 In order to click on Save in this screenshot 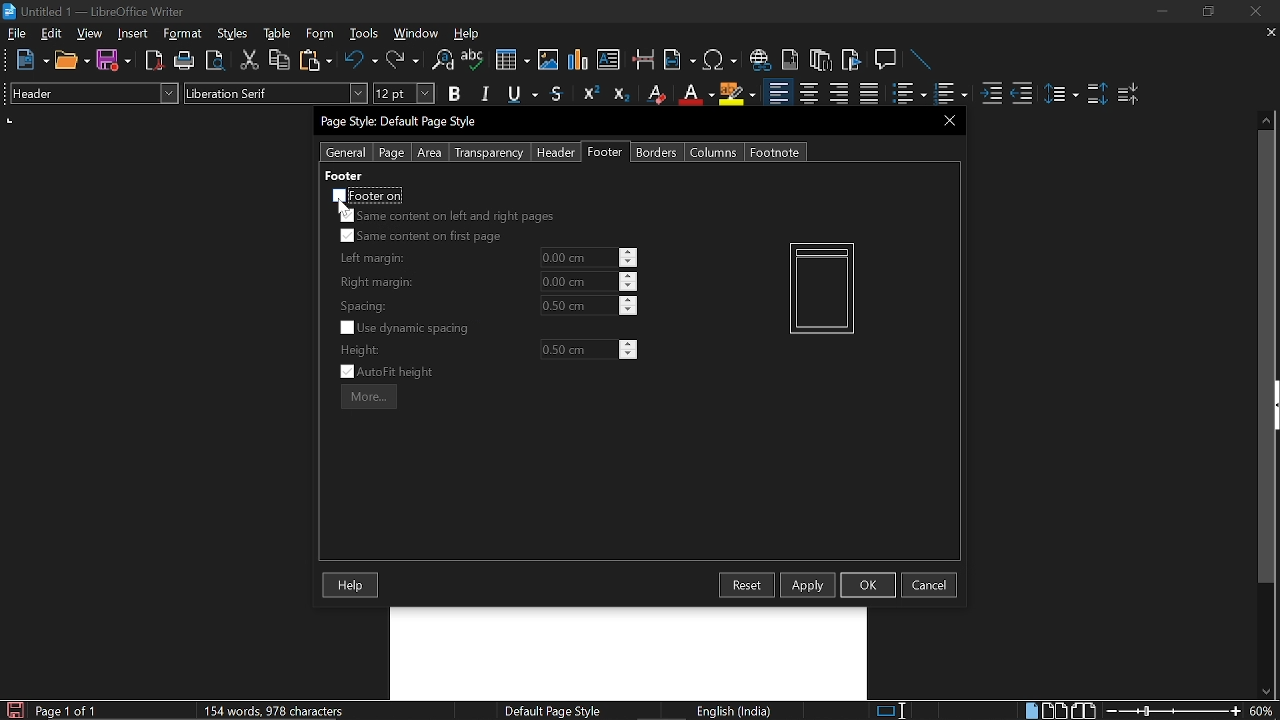, I will do `click(13, 710)`.